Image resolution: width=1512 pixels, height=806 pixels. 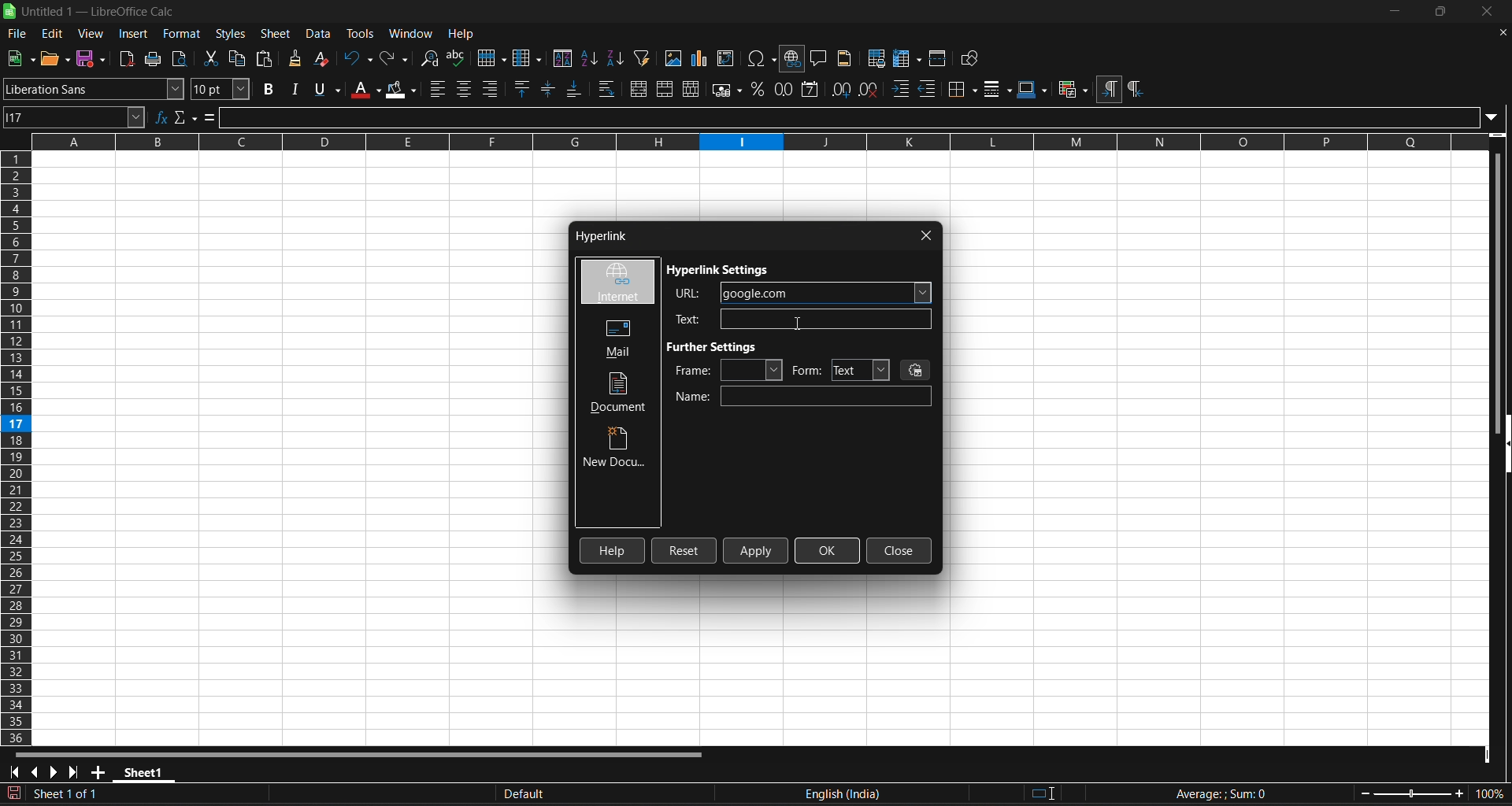 I want to click on align right, so click(x=491, y=89).